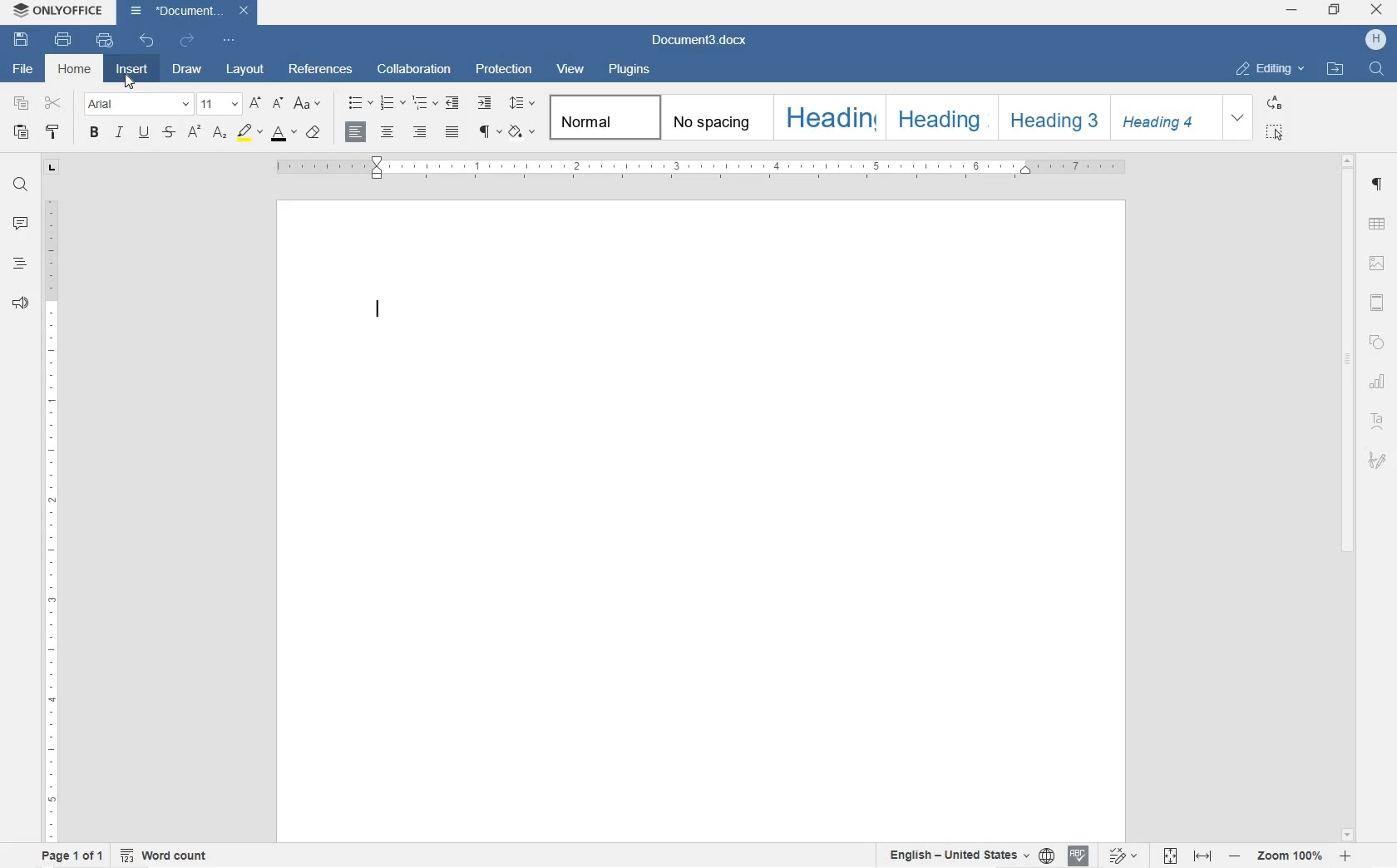 Image resolution: width=1397 pixels, height=868 pixels. I want to click on SIGNATURE, so click(1378, 459).